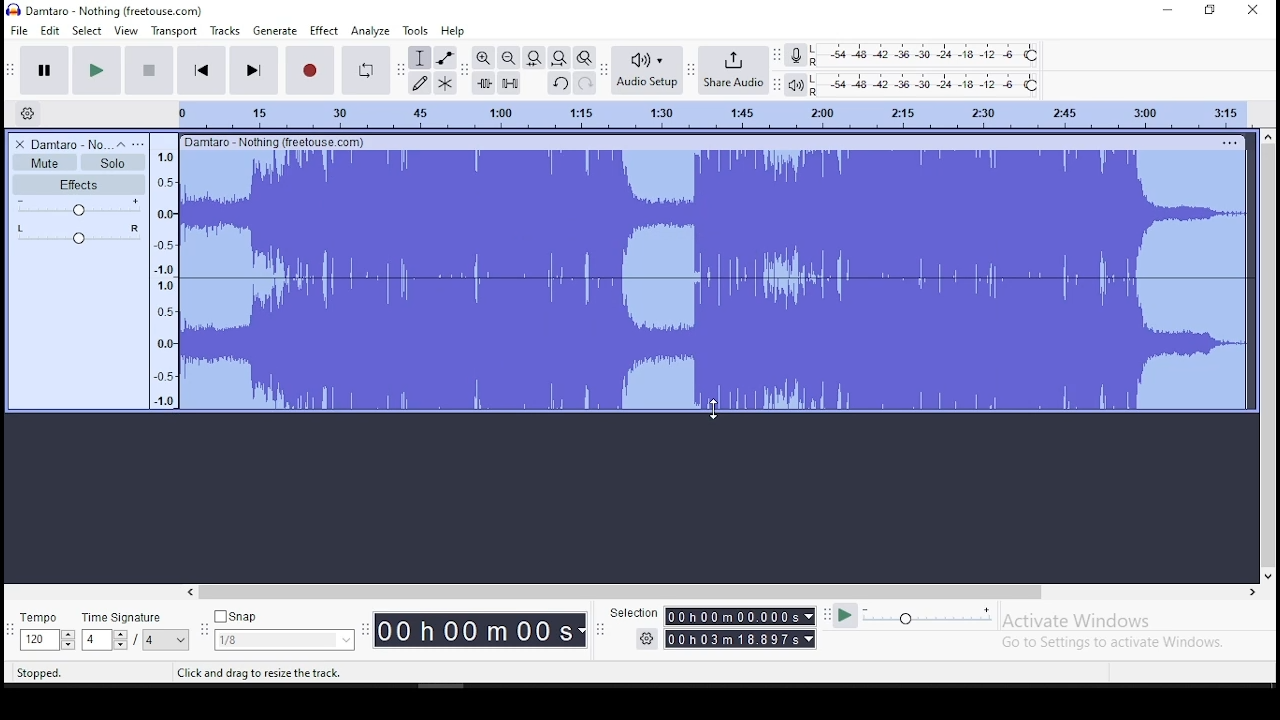 The height and width of the screenshot is (720, 1280). Describe the element at coordinates (809, 639) in the screenshot. I see `Drop down` at that location.